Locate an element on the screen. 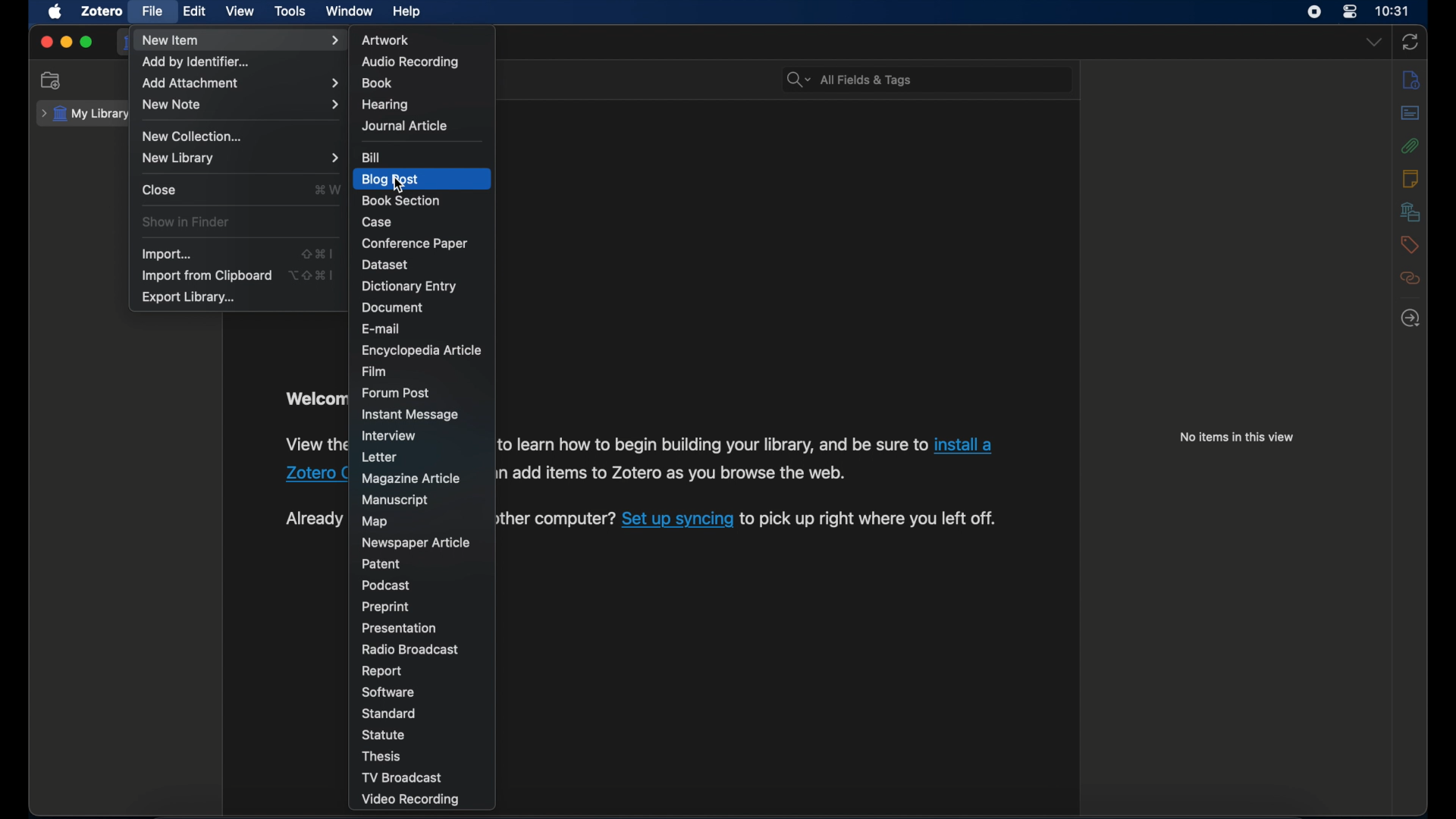  lose is located at coordinates (158, 189).